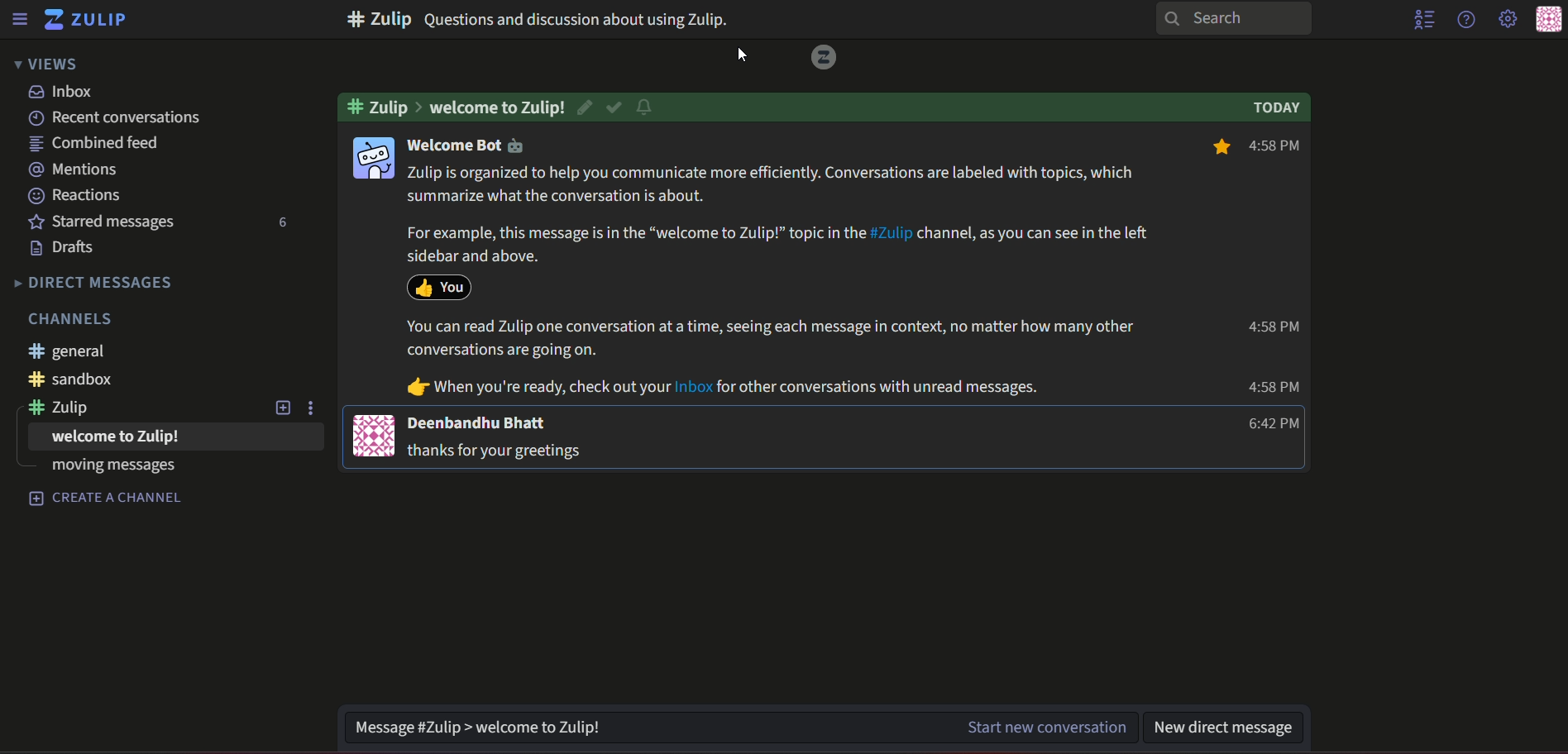 The height and width of the screenshot is (754, 1568). Describe the element at coordinates (1506, 19) in the screenshot. I see `main menu` at that location.